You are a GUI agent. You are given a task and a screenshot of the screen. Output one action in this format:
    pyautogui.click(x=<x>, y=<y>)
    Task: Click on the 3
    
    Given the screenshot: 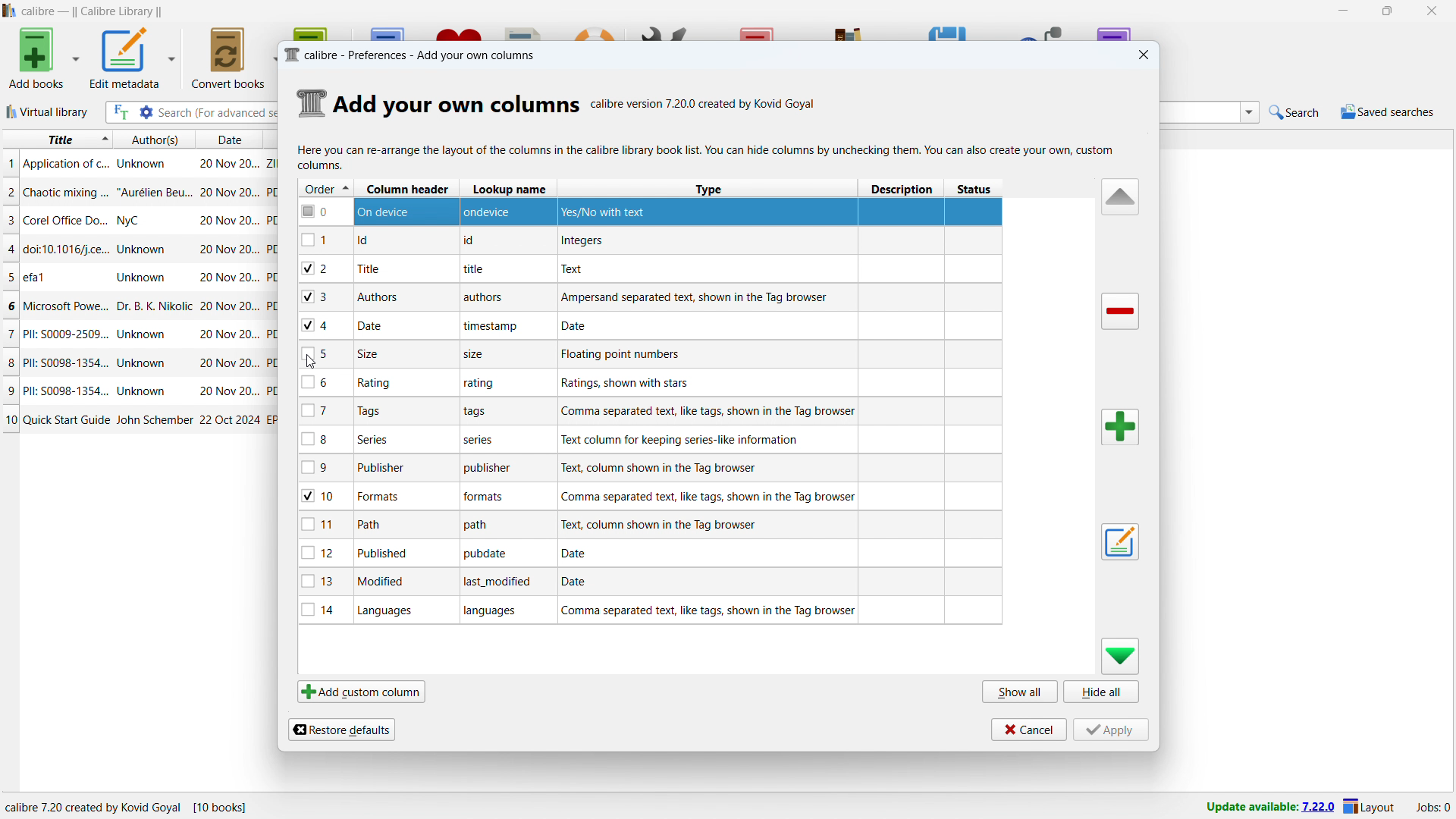 What is the action you would take?
    pyautogui.click(x=9, y=220)
    